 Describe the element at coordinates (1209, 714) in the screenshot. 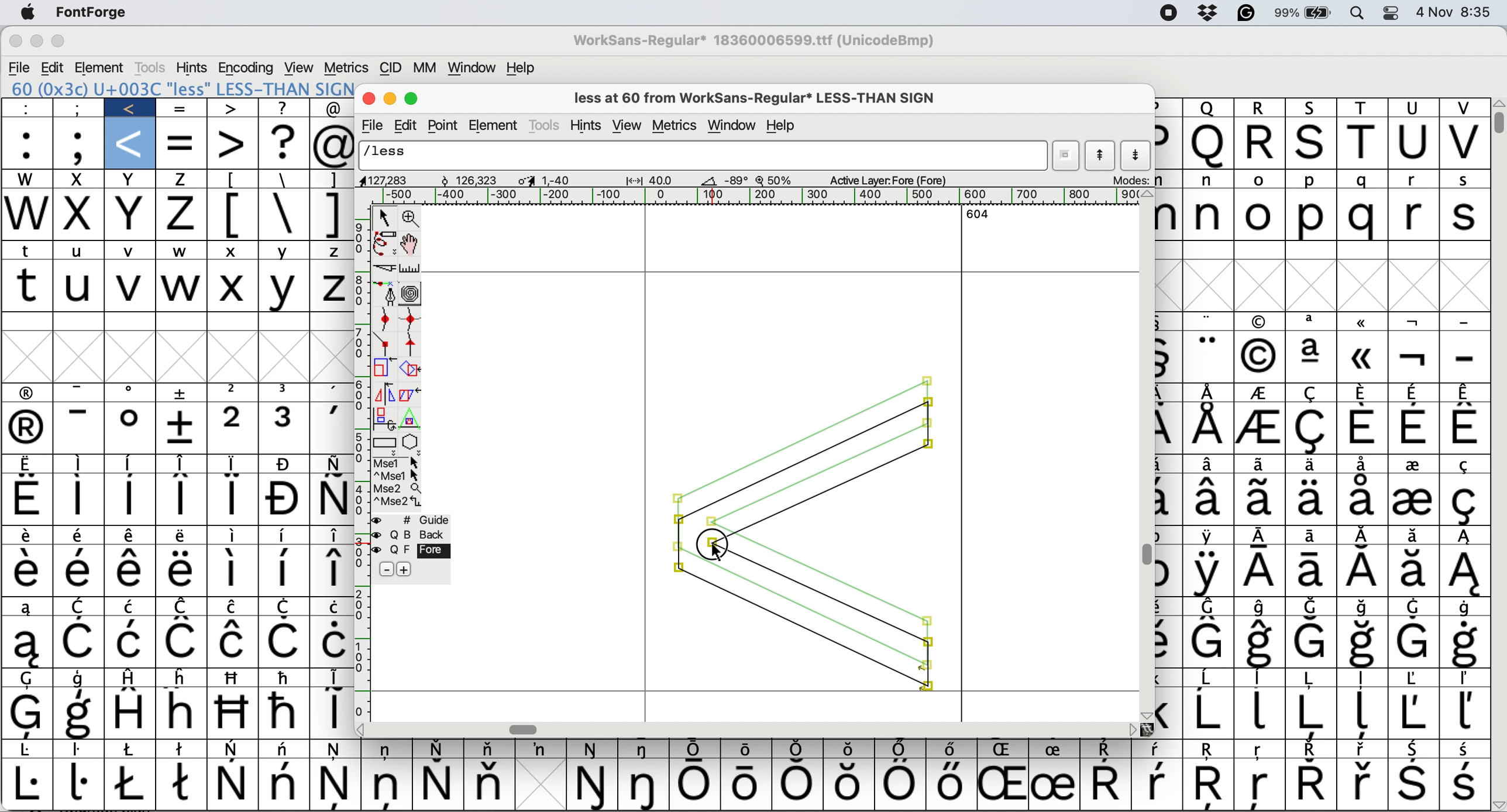

I see `Symbol` at that location.